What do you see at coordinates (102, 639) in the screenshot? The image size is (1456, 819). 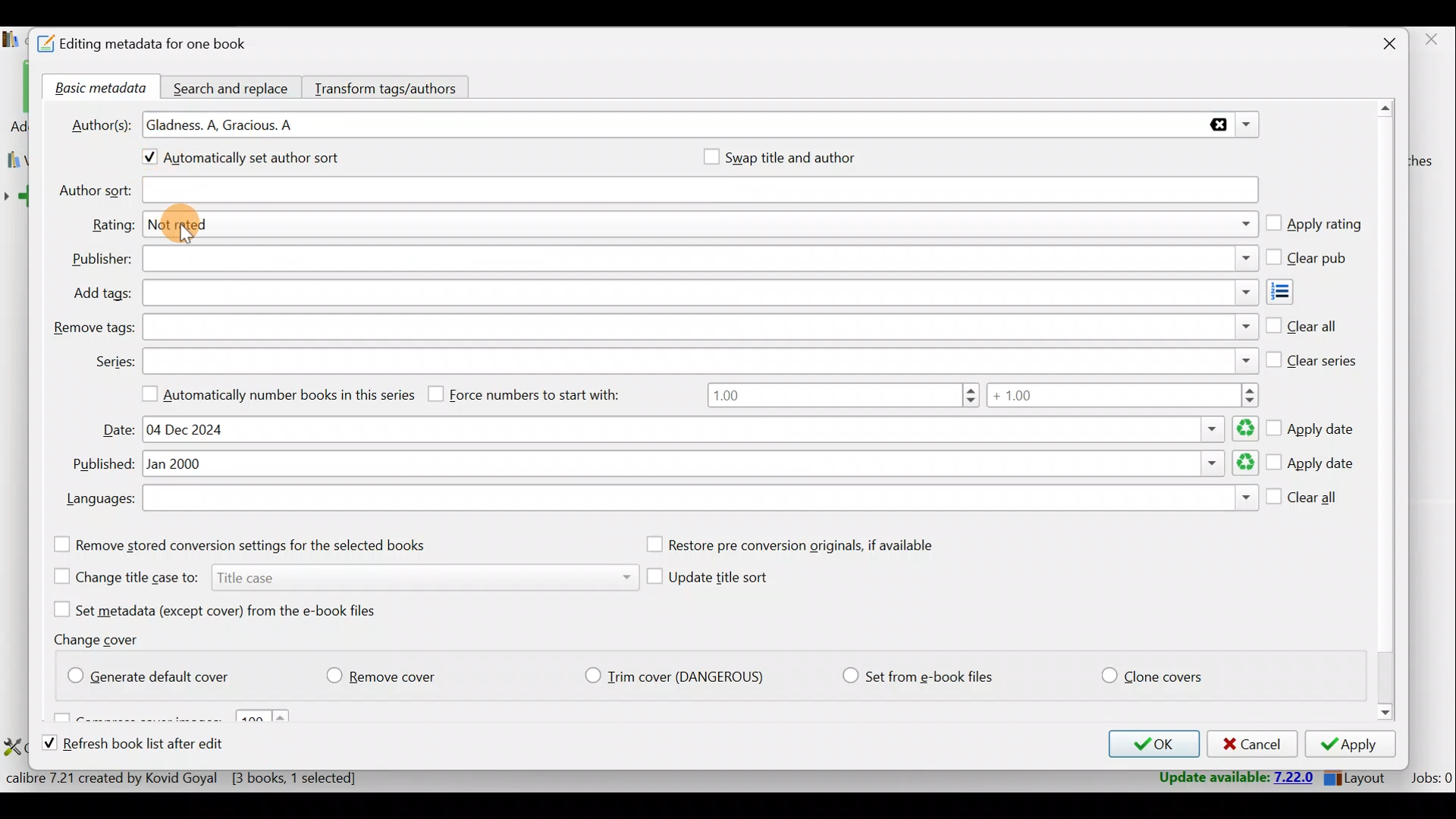 I see `Change cover` at bounding box center [102, 639].